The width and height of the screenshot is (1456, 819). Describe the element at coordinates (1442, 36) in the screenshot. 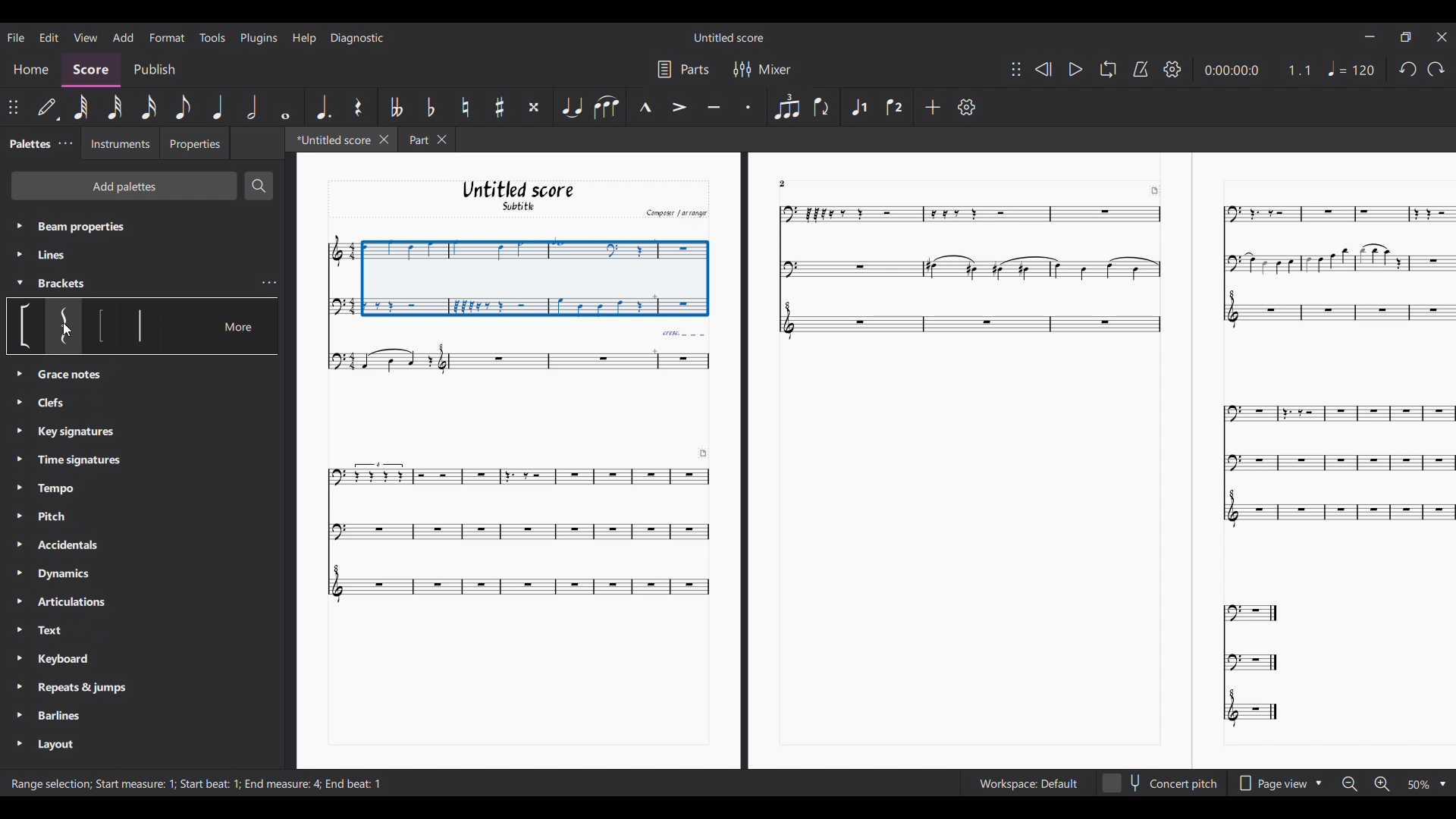

I see `Close ` at that location.